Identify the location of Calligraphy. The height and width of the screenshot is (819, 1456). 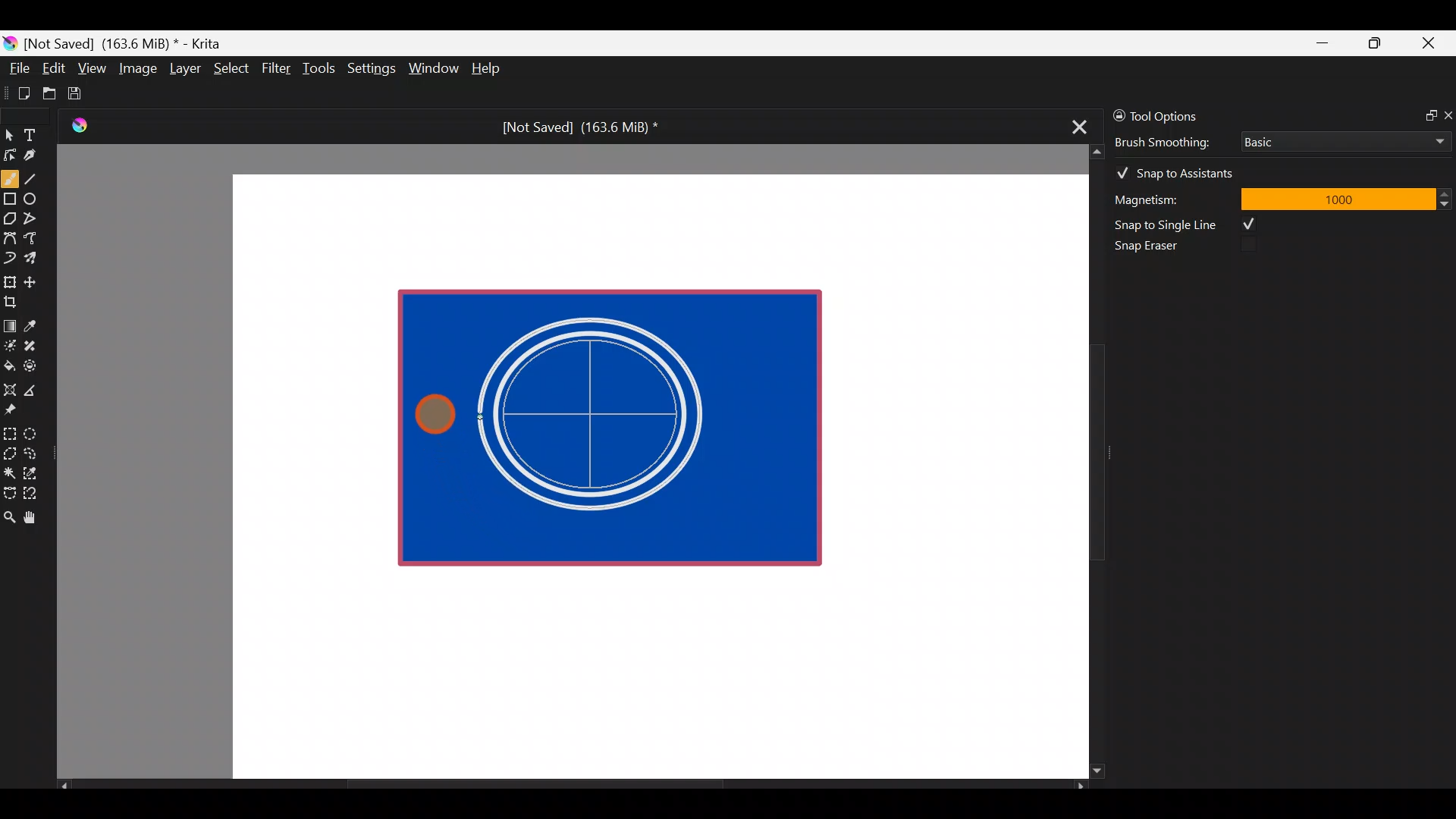
(41, 158).